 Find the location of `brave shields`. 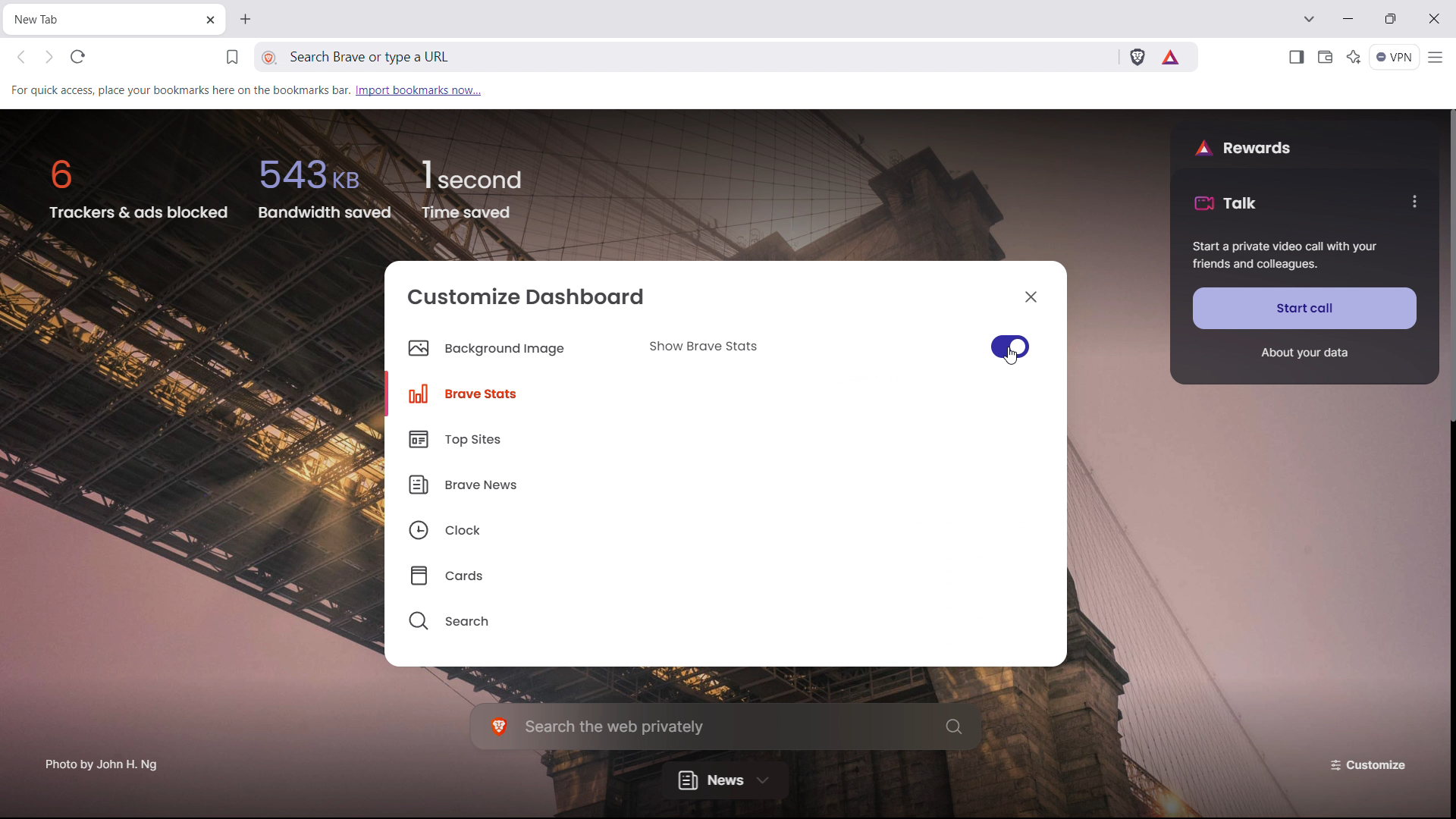

brave shields is located at coordinates (1137, 55).